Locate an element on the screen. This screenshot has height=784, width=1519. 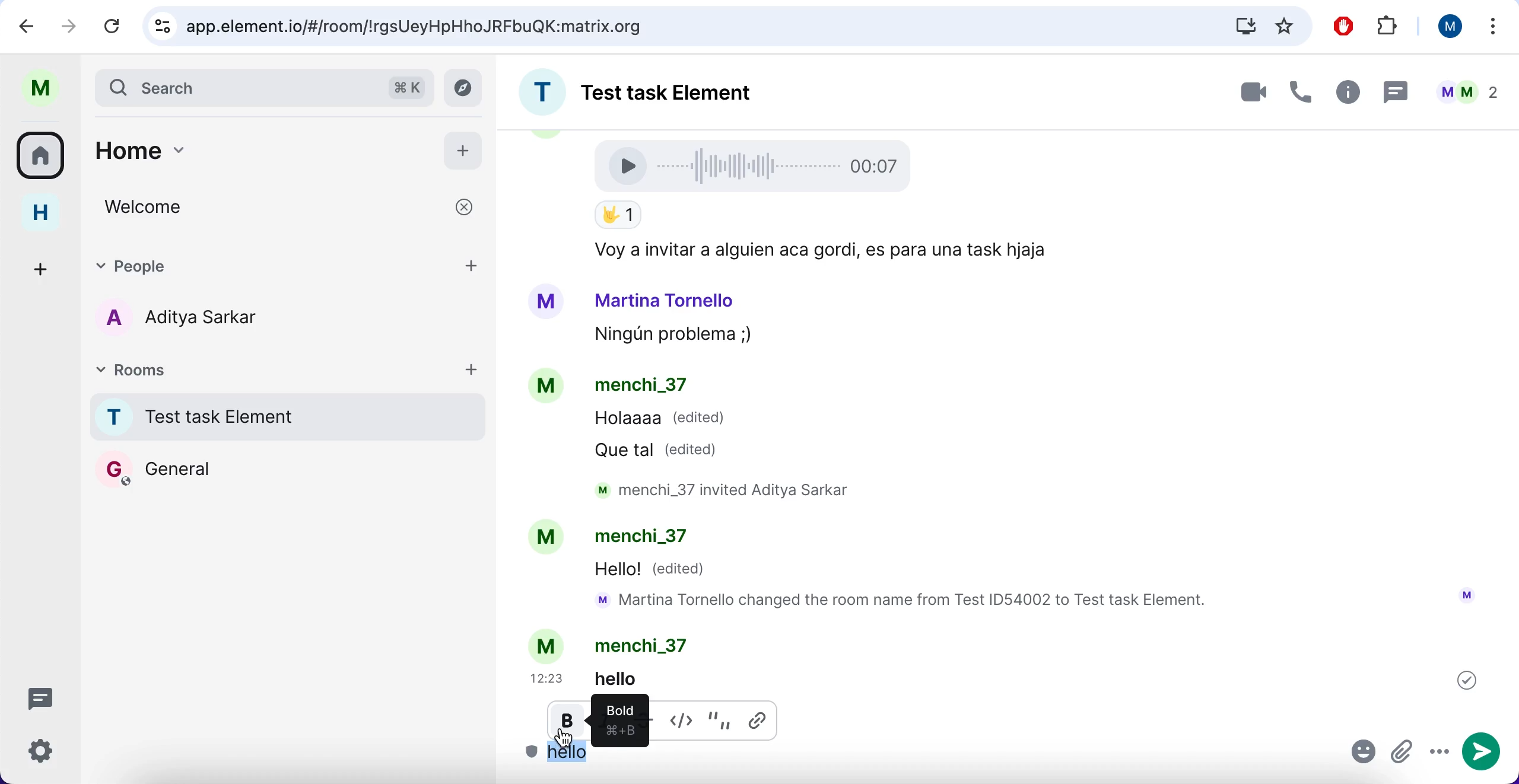
attachment is located at coordinates (1403, 753).